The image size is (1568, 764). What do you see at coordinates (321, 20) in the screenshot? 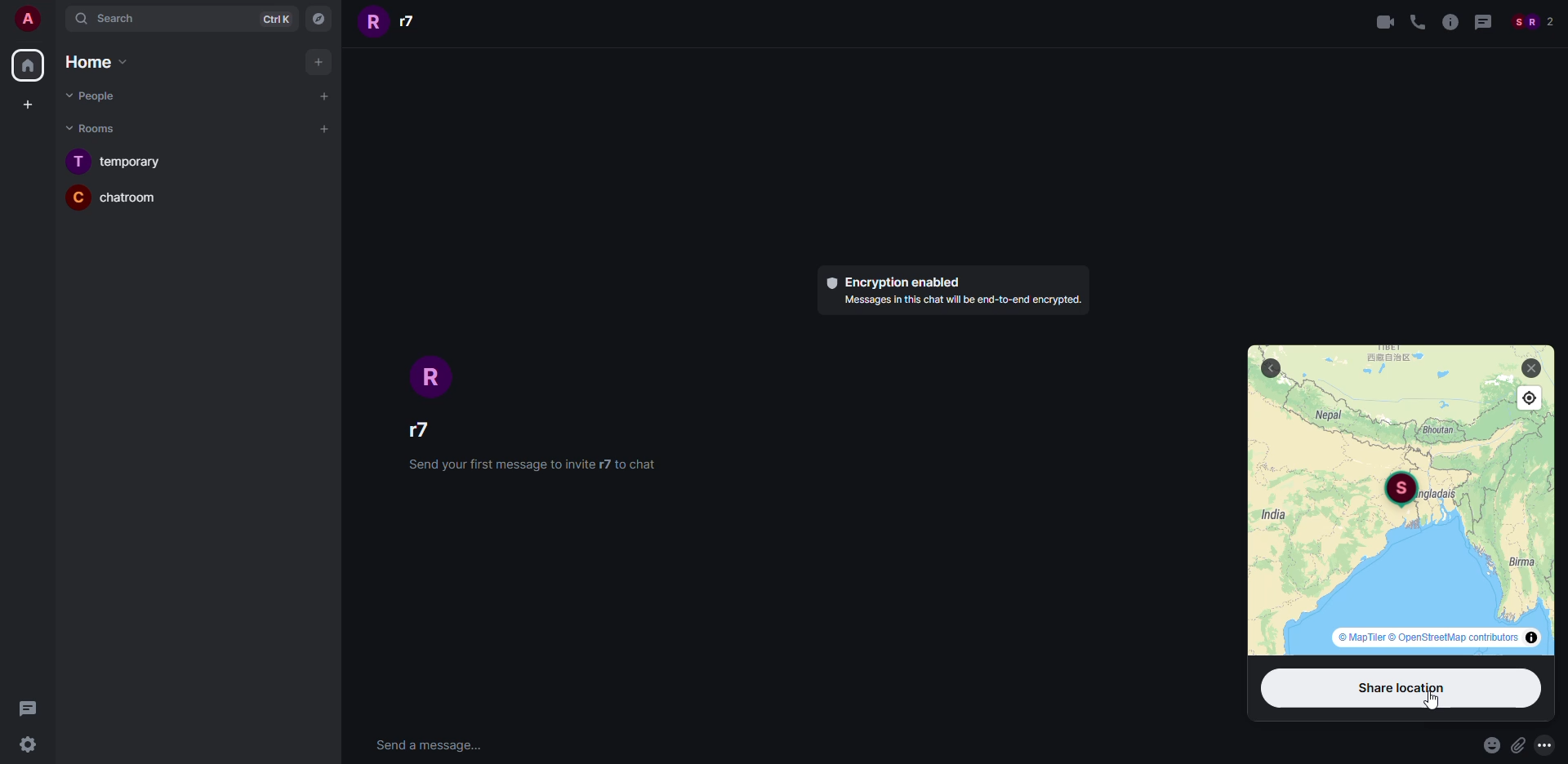
I see `Explore rooms` at bounding box center [321, 20].